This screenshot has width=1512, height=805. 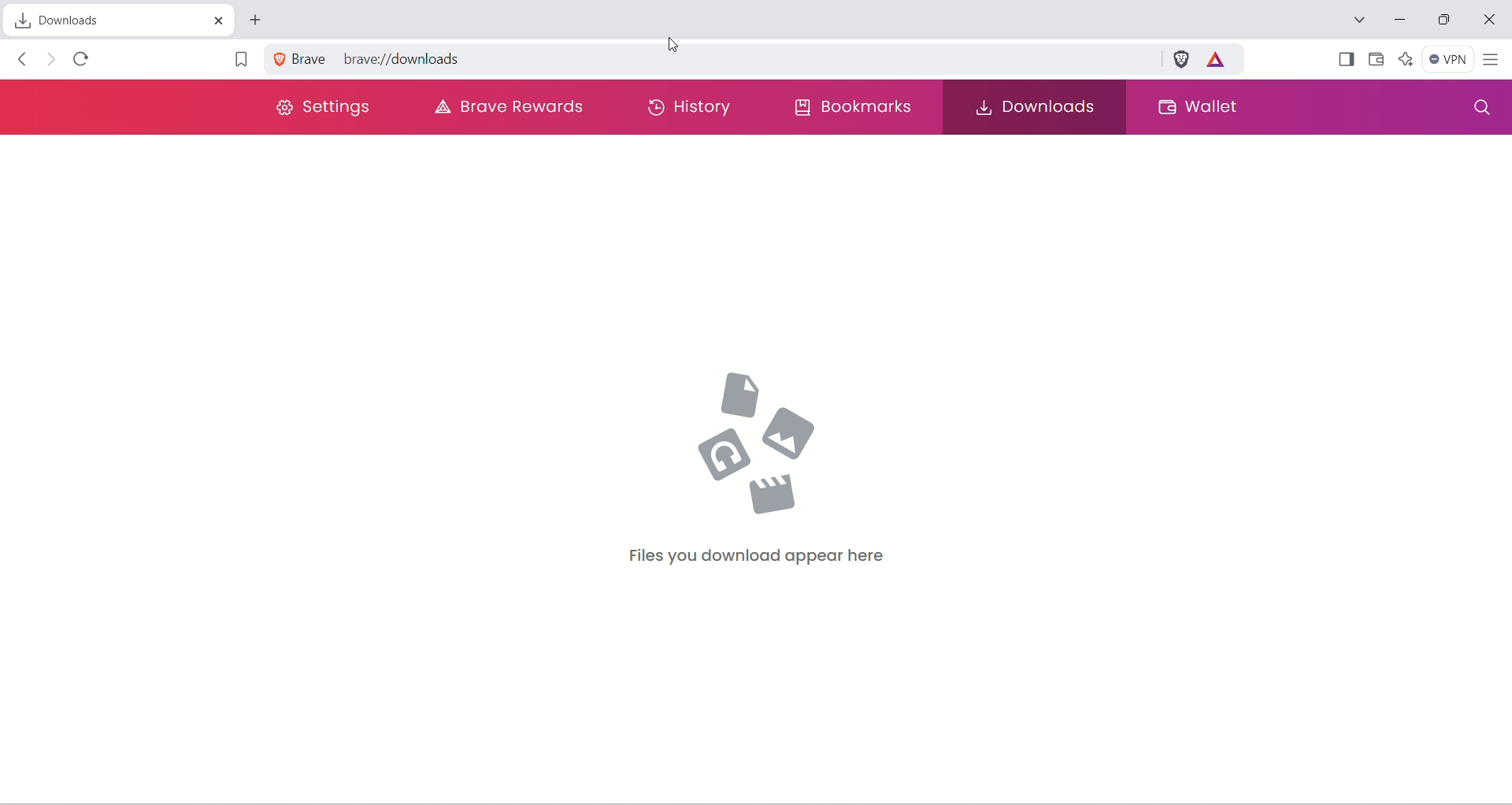 What do you see at coordinates (49, 58) in the screenshot?
I see `click to go forward, hold to see history` at bounding box center [49, 58].